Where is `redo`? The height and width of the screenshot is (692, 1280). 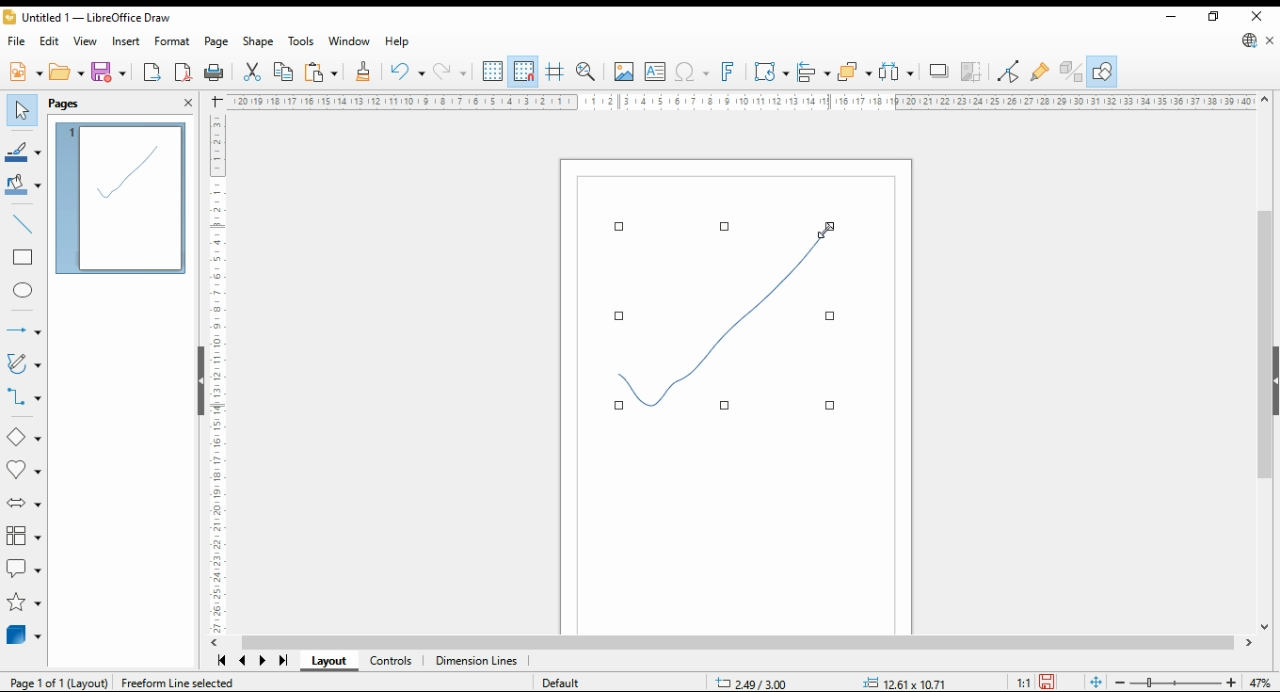
redo is located at coordinates (452, 71).